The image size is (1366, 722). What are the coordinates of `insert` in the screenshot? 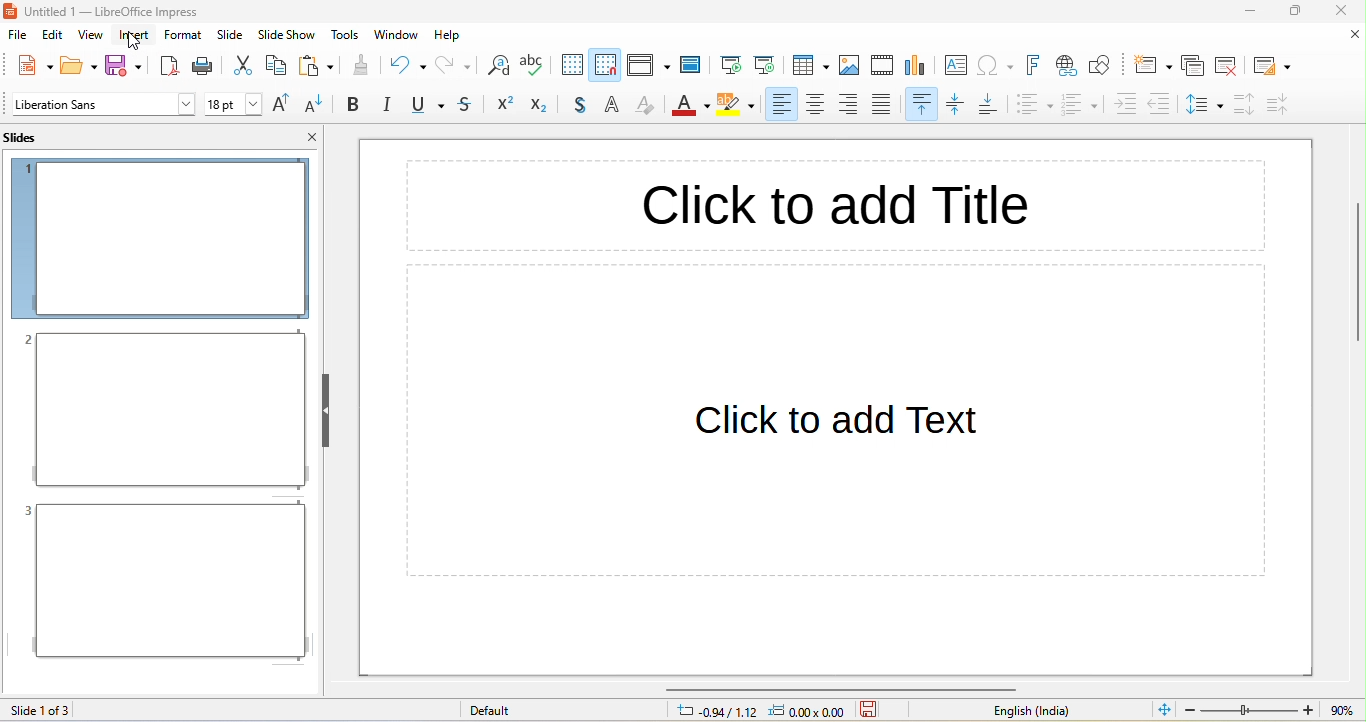 It's located at (134, 37).